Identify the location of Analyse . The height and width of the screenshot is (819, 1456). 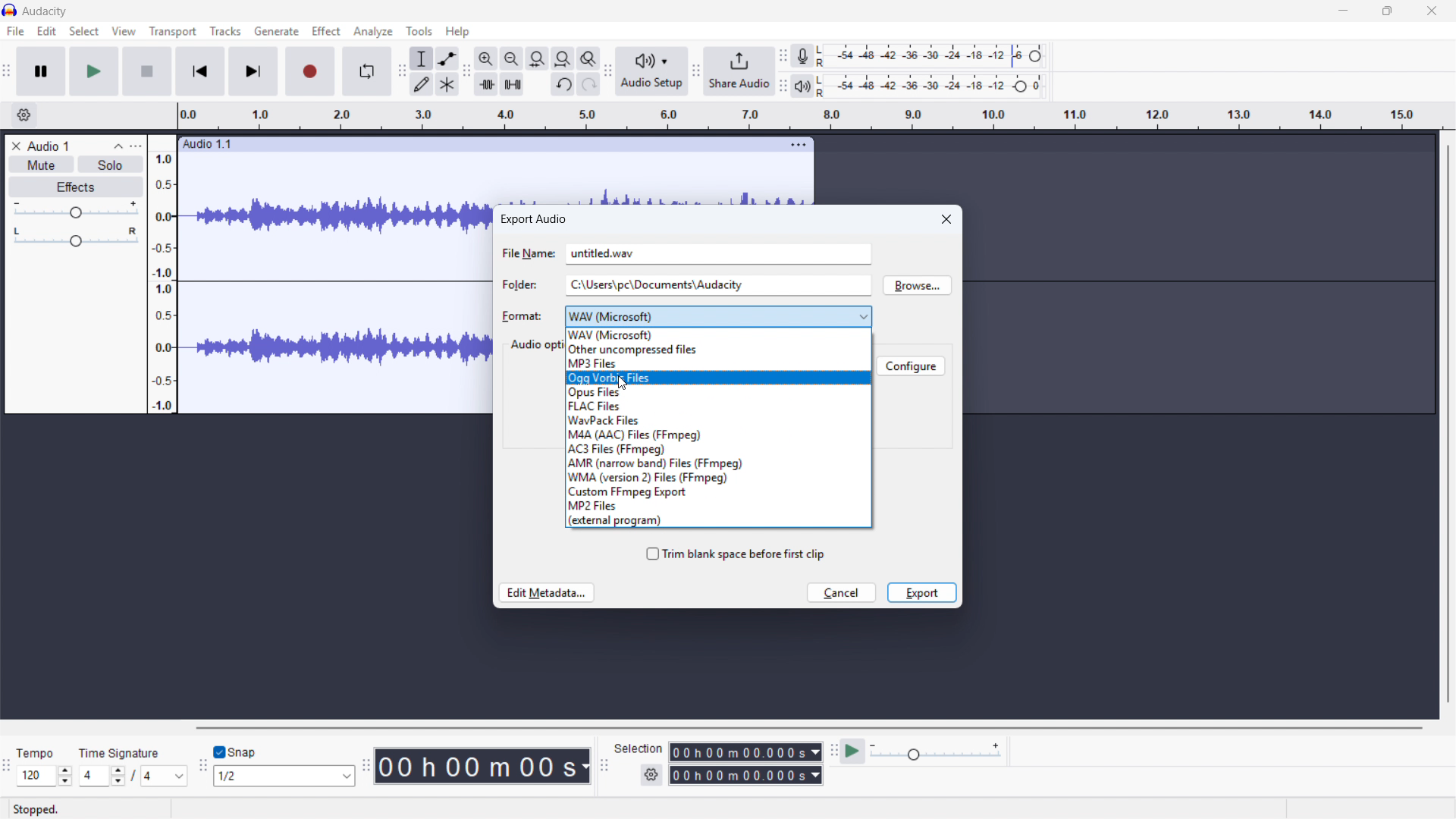
(372, 31).